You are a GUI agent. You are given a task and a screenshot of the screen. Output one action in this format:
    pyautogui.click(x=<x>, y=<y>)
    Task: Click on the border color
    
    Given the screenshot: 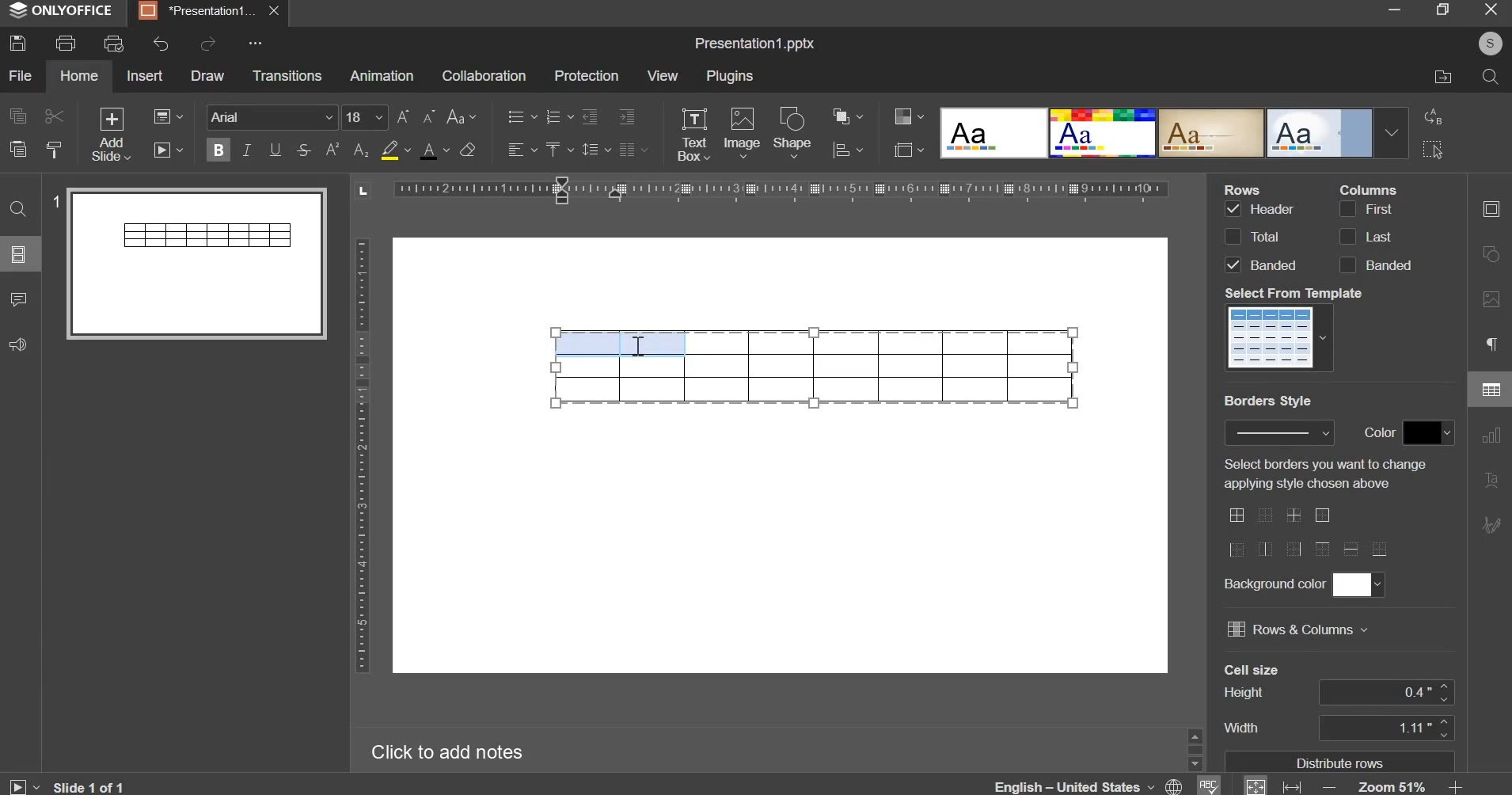 What is the action you would take?
    pyautogui.click(x=1427, y=433)
    